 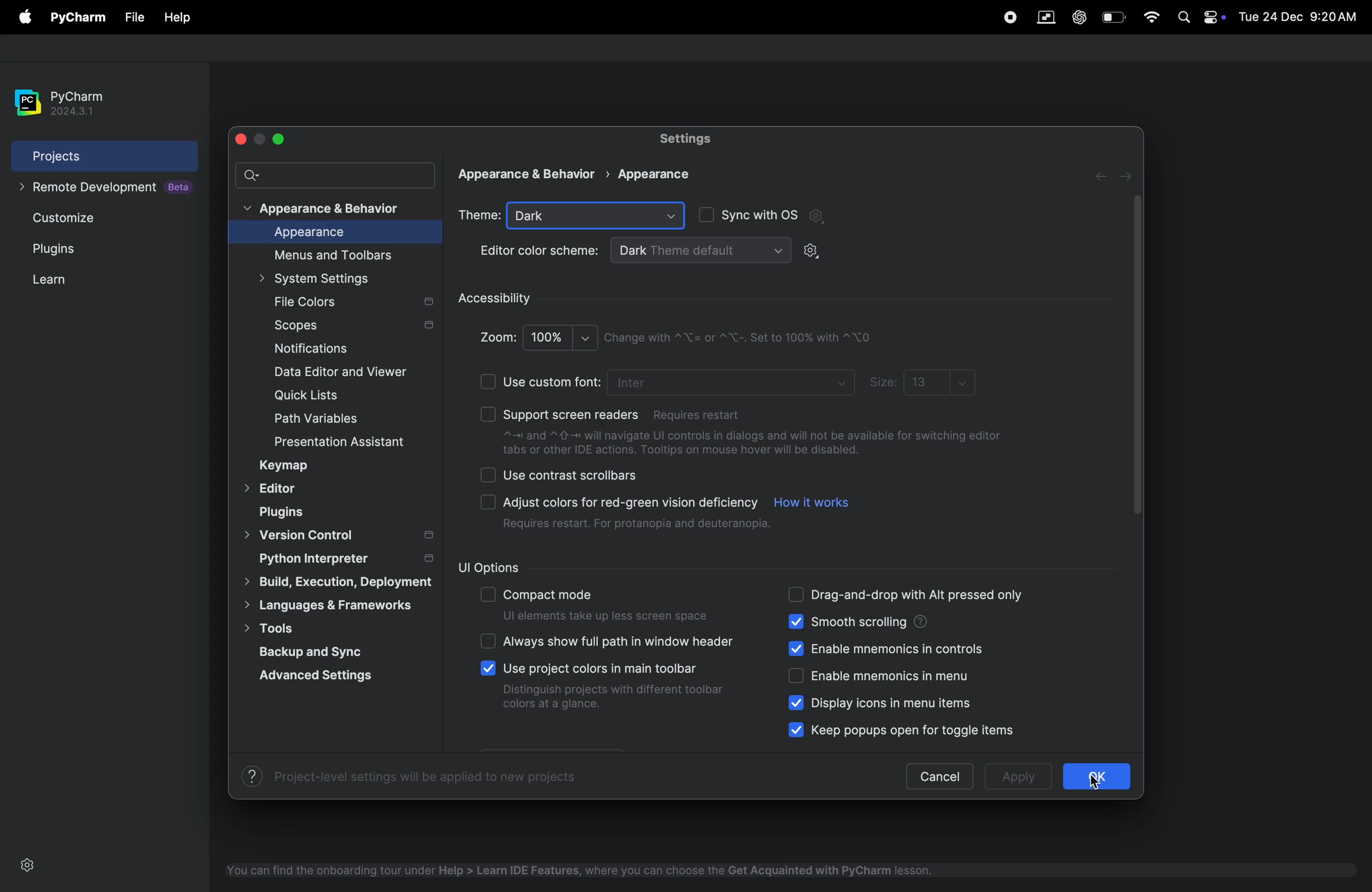 I want to click on ide features, so click(x=576, y=870).